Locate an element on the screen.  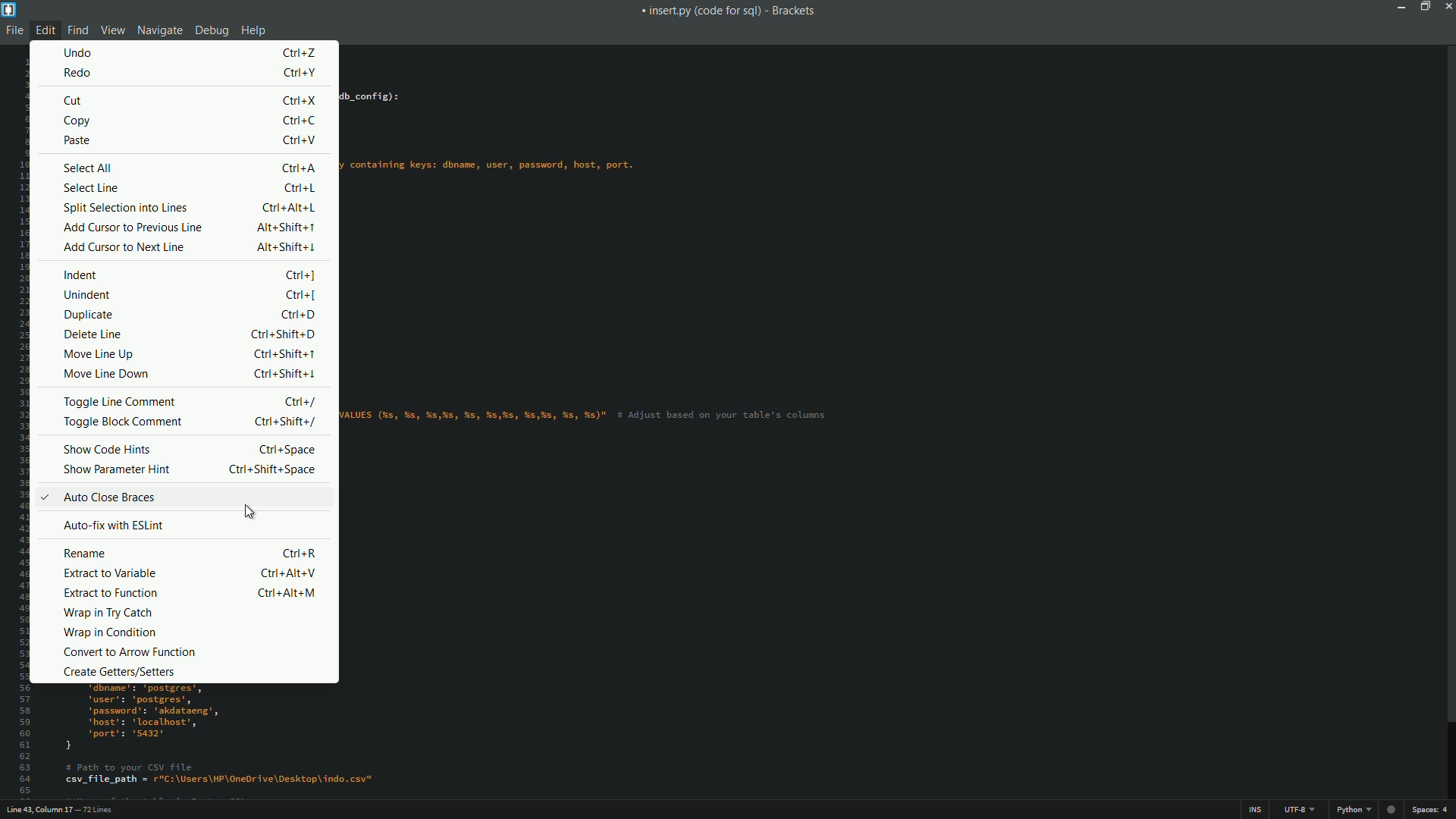
wrap in condition is located at coordinates (108, 632).